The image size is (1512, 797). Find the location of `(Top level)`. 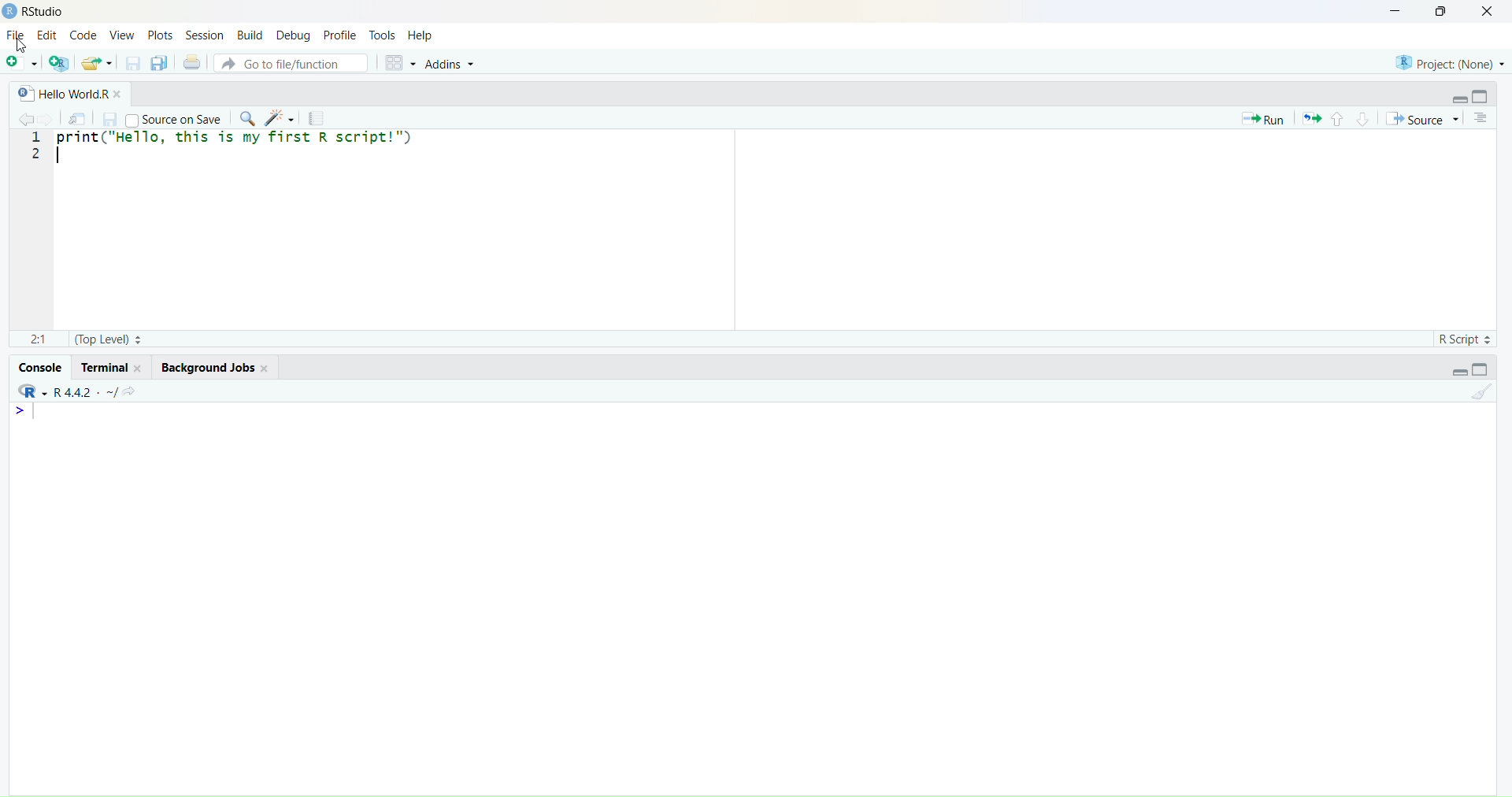

(Top level) is located at coordinates (110, 340).